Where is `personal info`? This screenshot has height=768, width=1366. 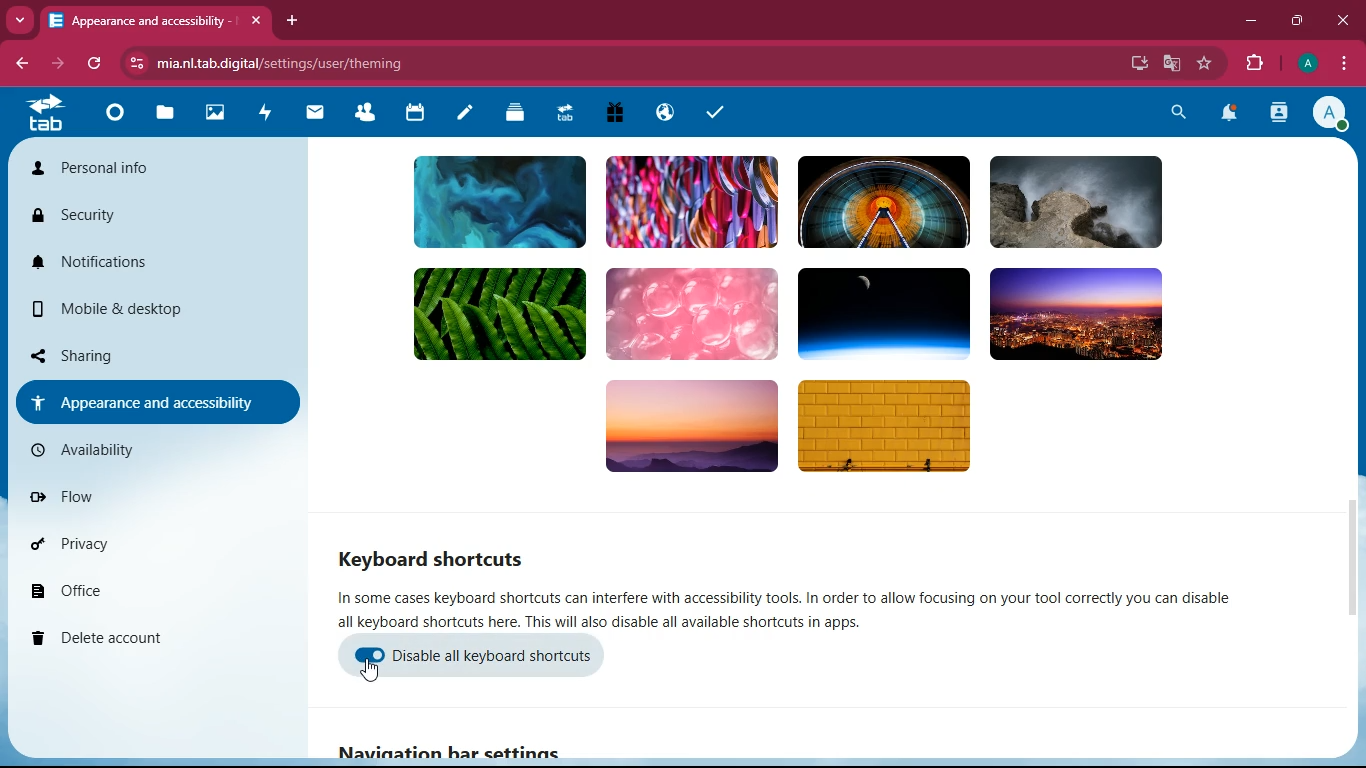
personal info is located at coordinates (129, 168).